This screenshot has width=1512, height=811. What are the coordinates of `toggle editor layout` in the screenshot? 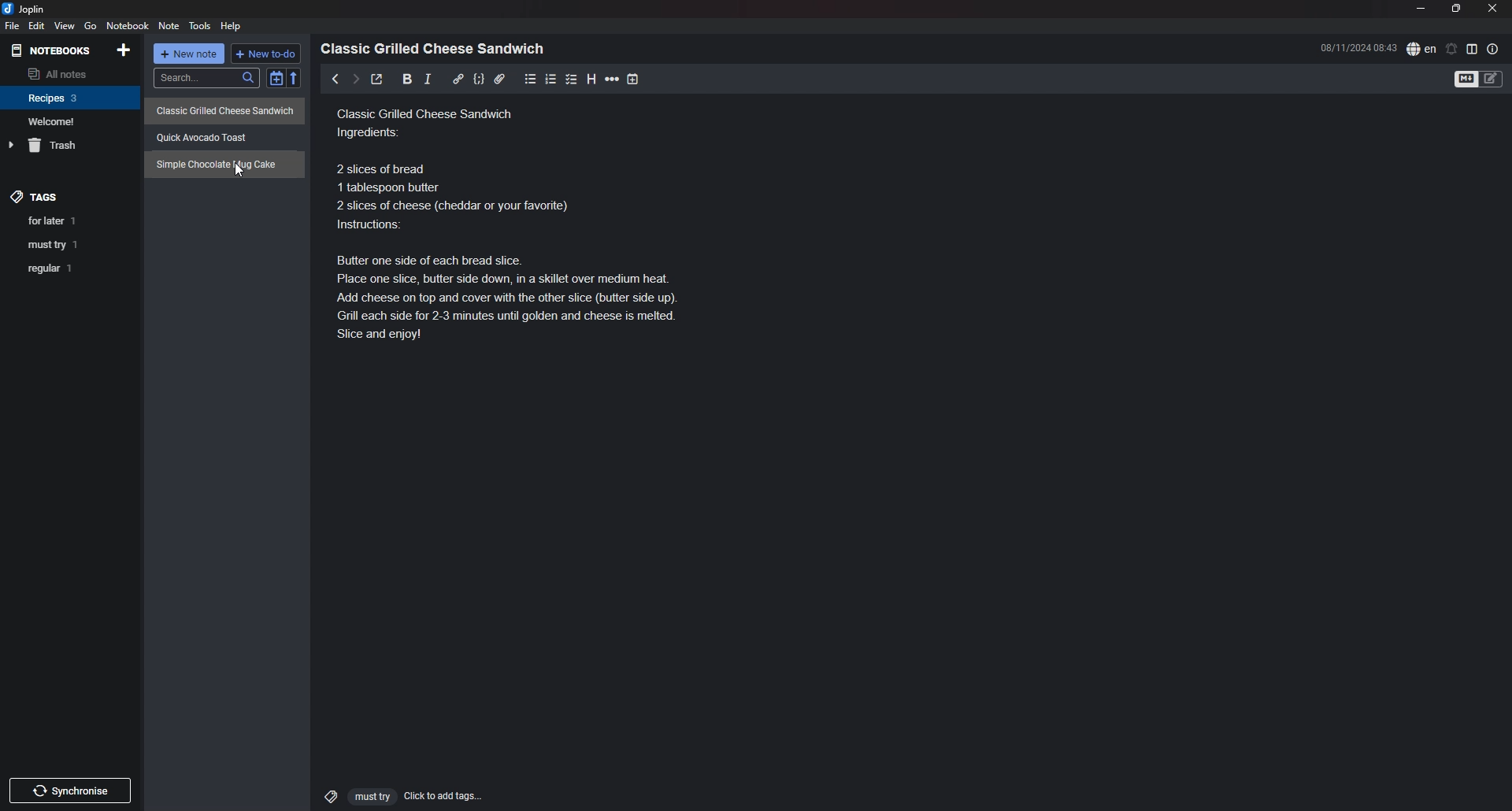 It's located at (1473, 49).